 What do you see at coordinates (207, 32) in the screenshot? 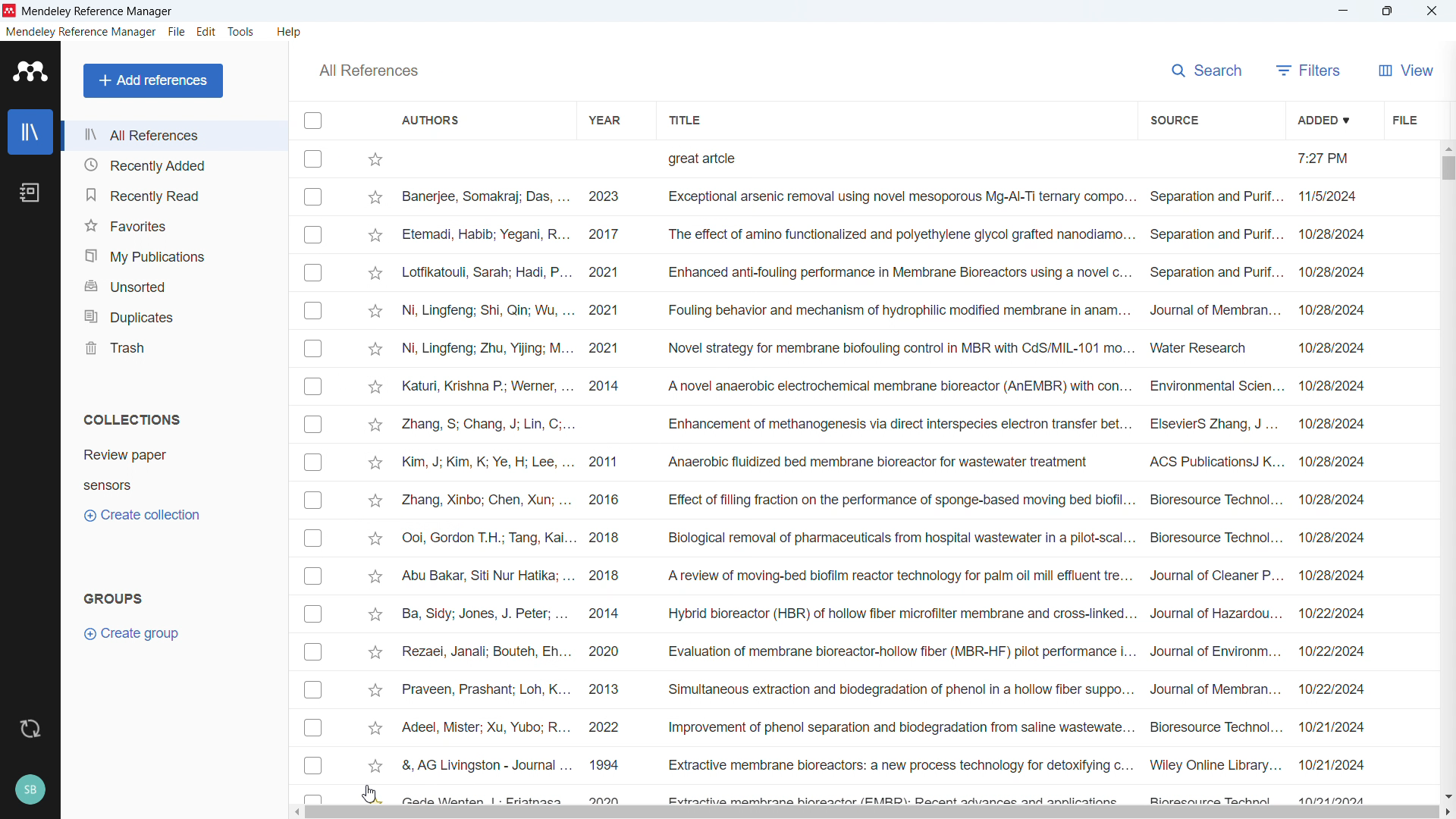
I see `Edit ` at bounding box center [207, 32].